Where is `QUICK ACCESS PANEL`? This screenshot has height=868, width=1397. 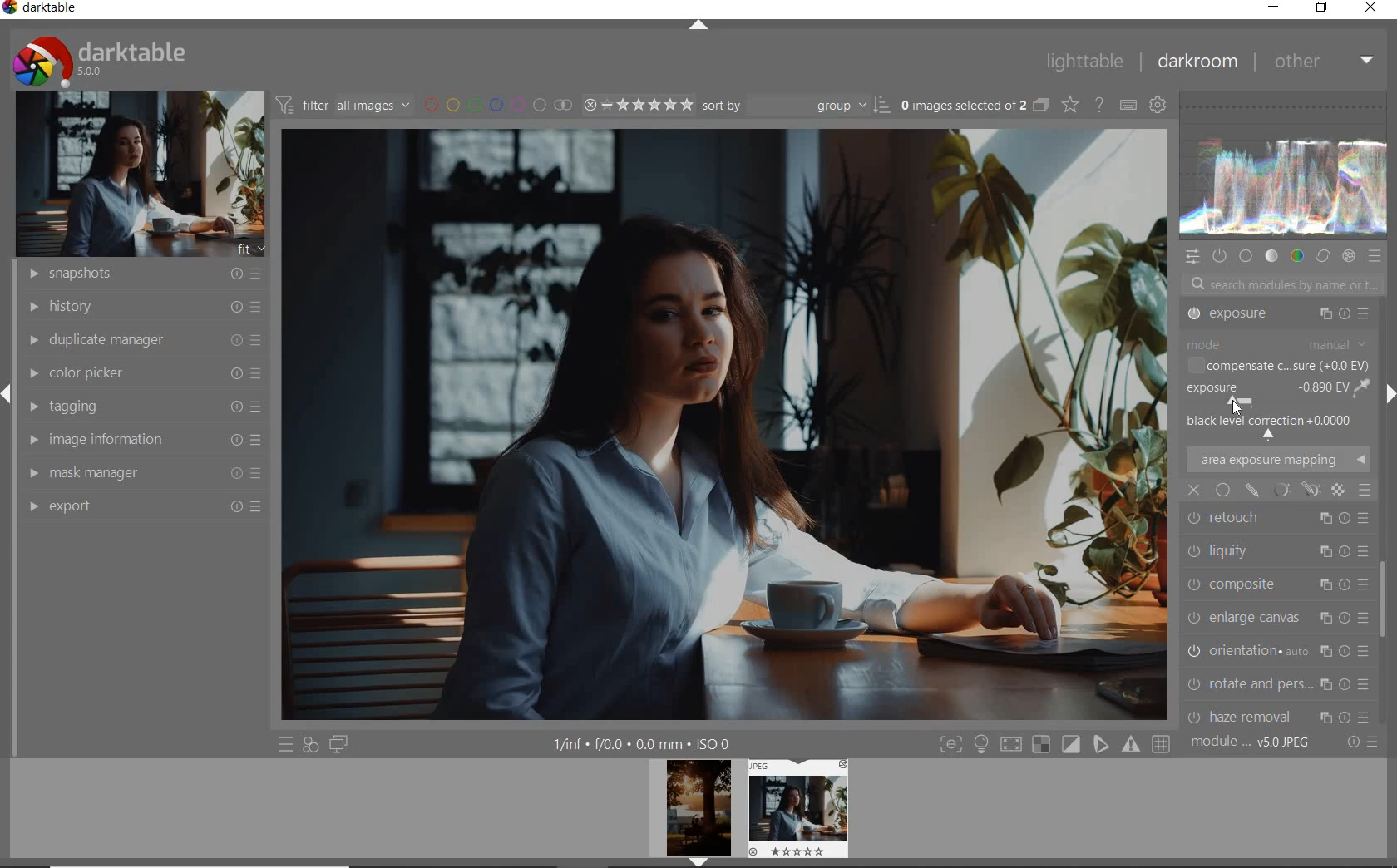 QUICK ACCESS PANEL is located at coordinates (1192, 257).